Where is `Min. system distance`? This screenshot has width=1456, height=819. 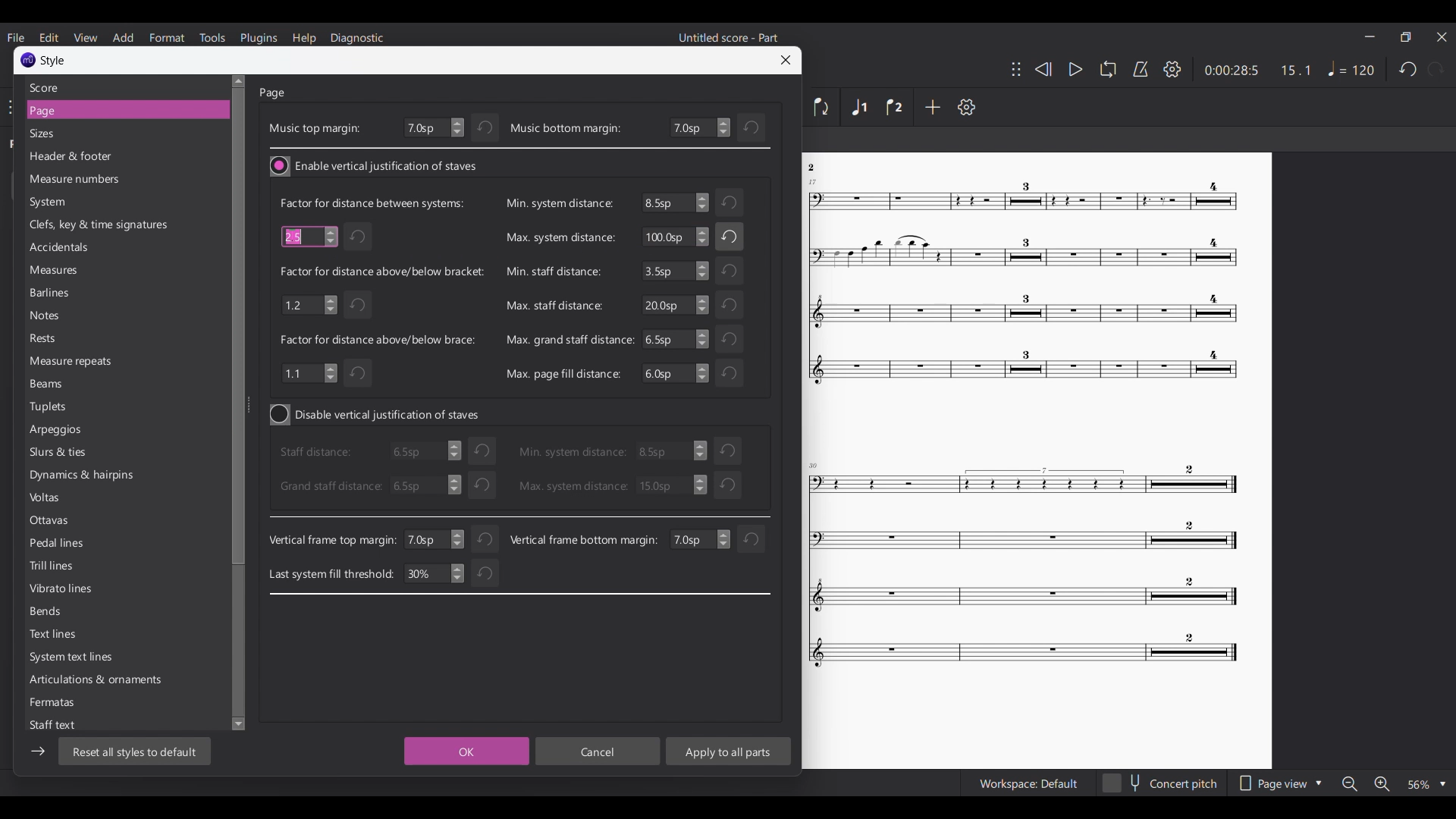 Min. system distance is located at coordinates (557, 203).